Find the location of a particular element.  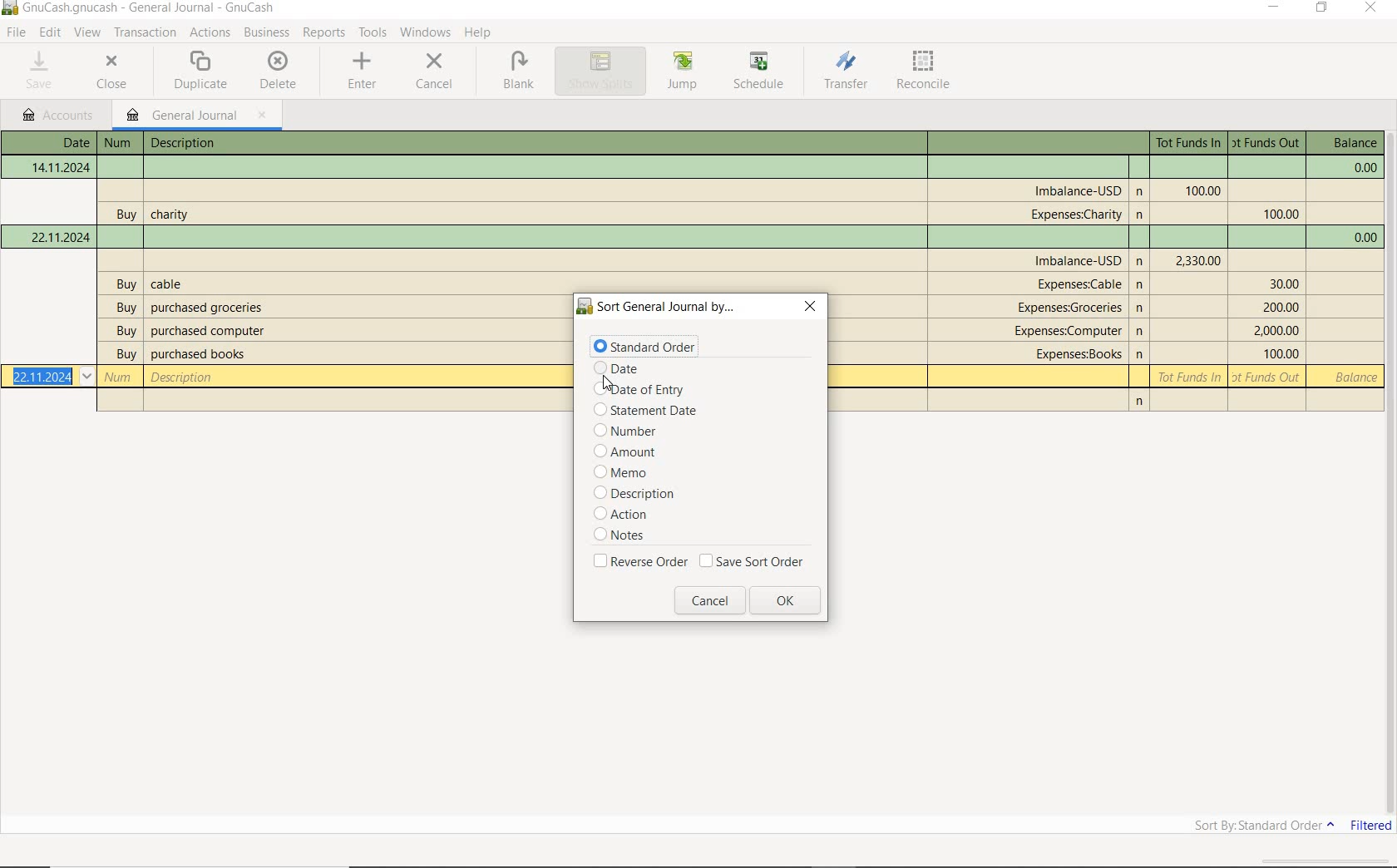

reverse order is located at coordinates (640, 563).